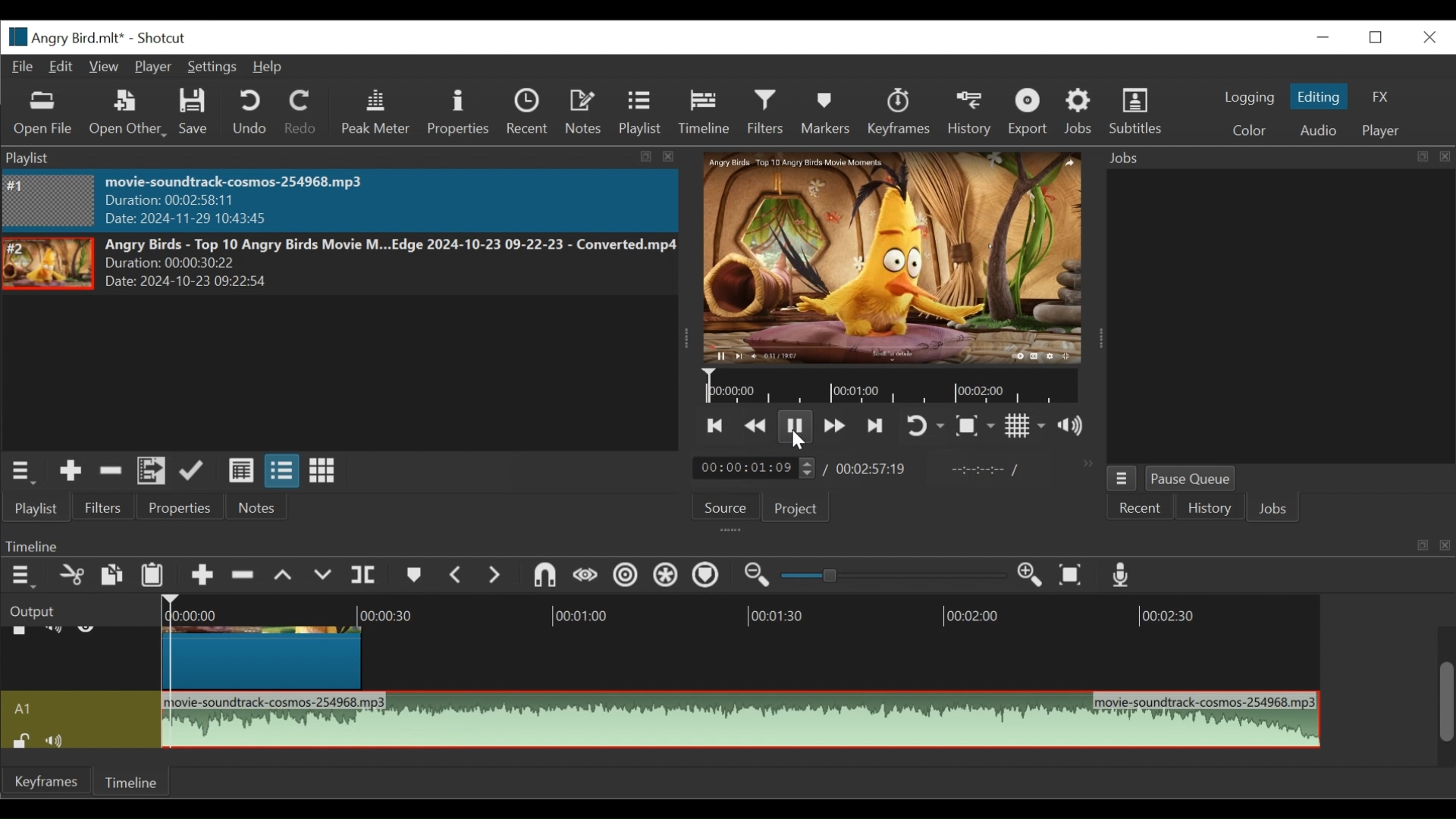  Describe the element at coordinates (322, 471) in the screenshot. I see `View as icons` at that location.